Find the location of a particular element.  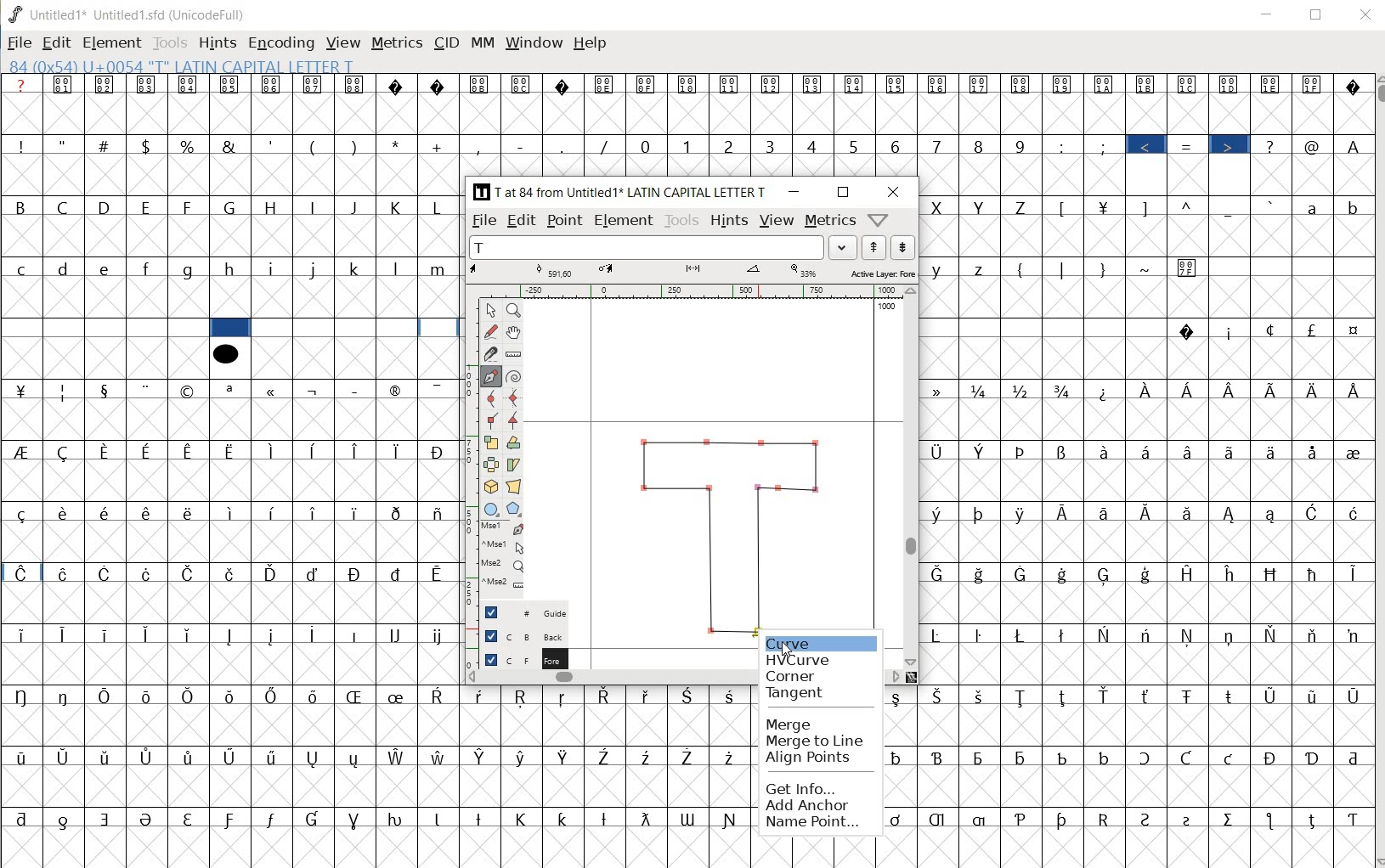

Symbol is located at coordinates (1275, 389).